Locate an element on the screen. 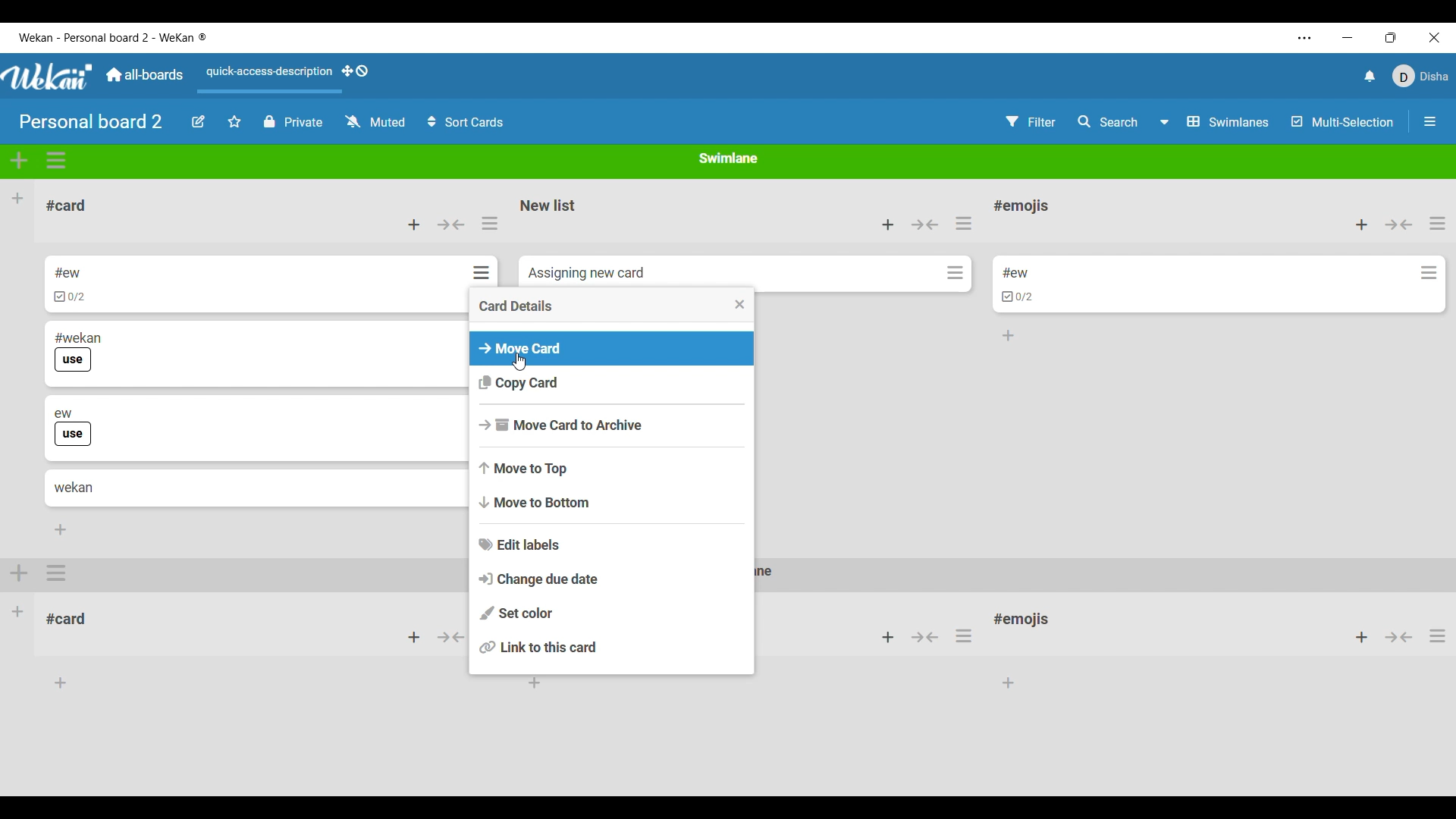 This screenshot has width=1456, height=819. options is located at coordinates (1437, 641).